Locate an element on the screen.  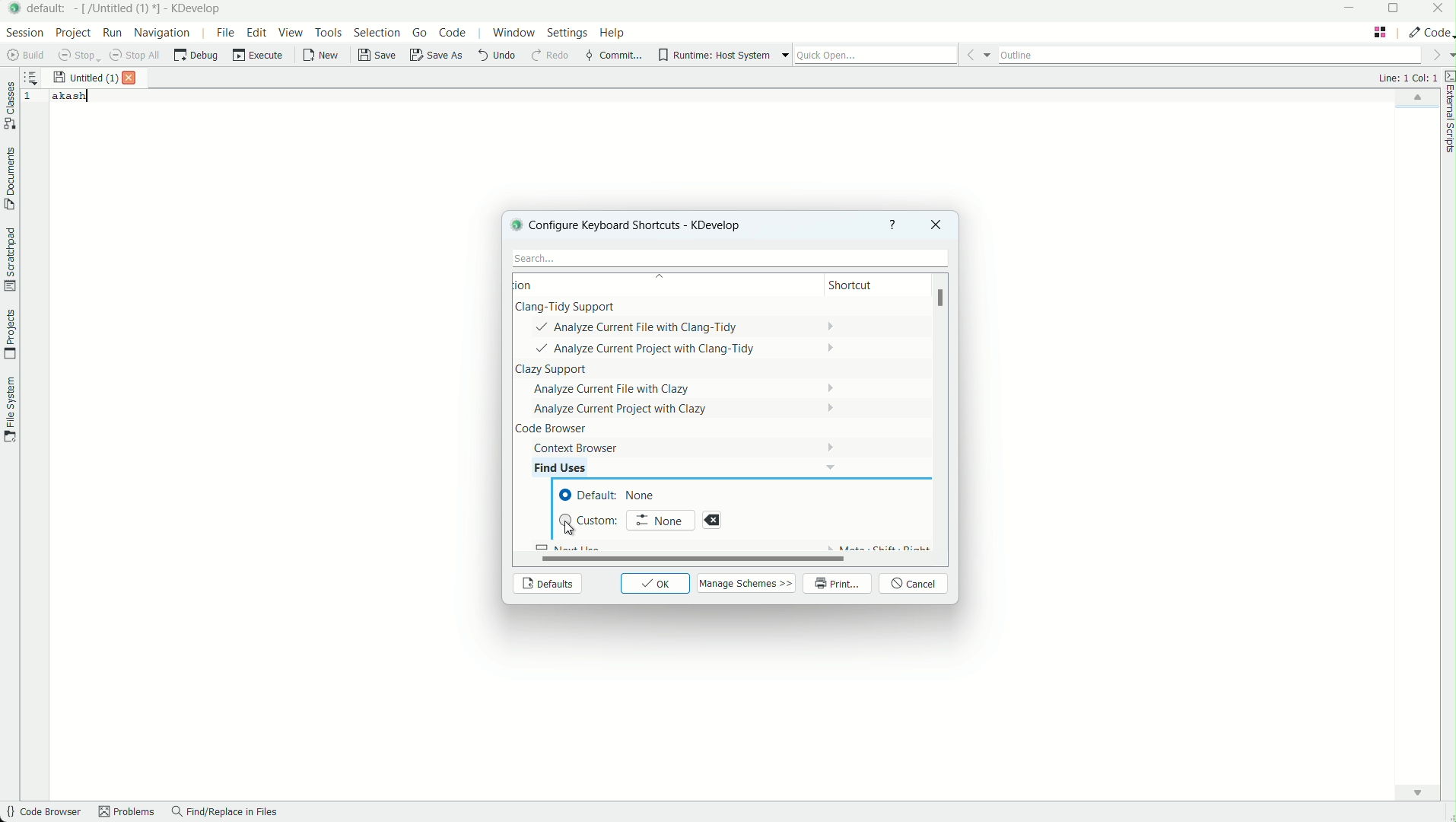
close window is located at coordinates (934, 225).